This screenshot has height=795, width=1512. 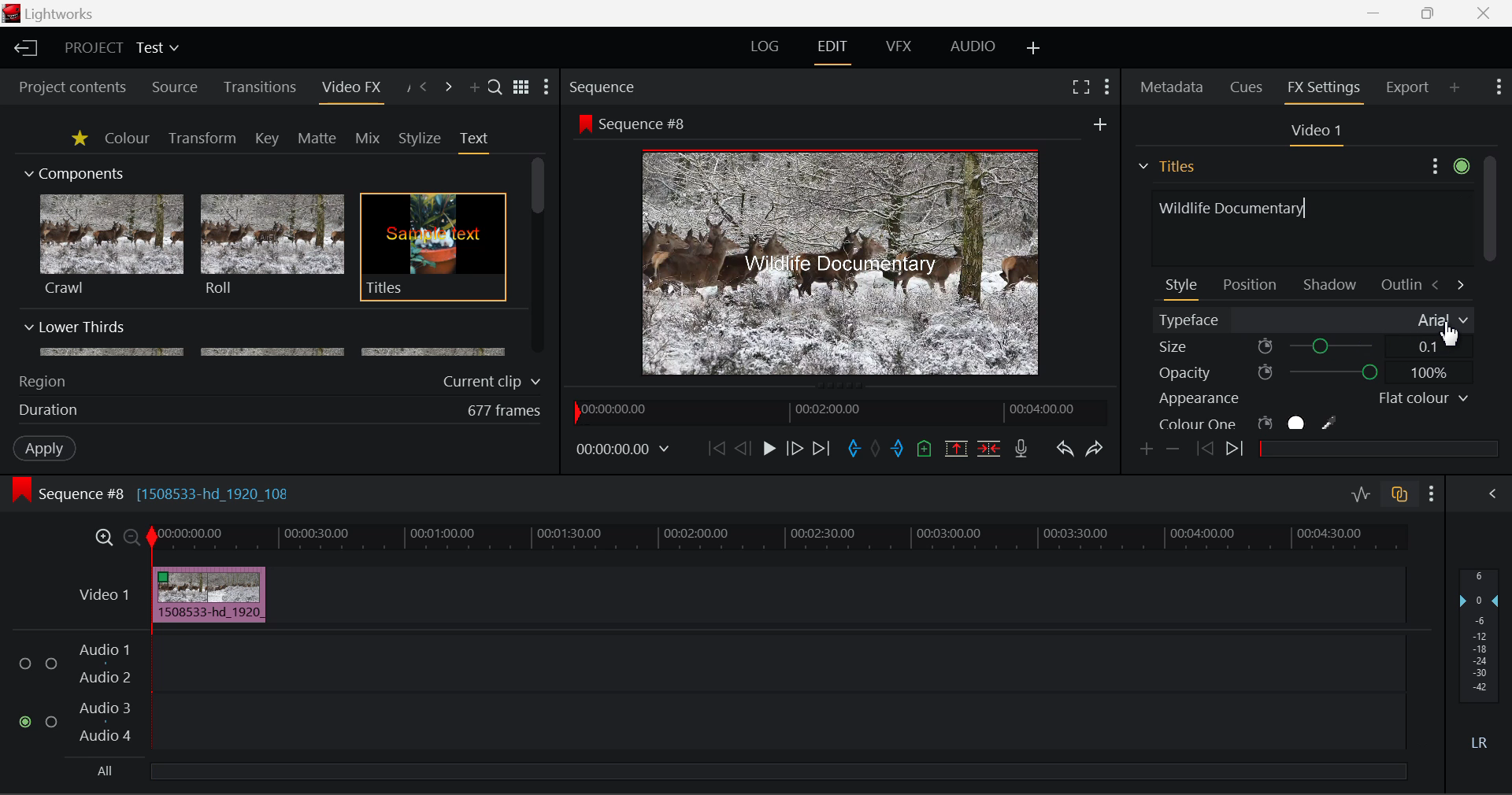 I want to click on Key, so click(x=269, y=139).